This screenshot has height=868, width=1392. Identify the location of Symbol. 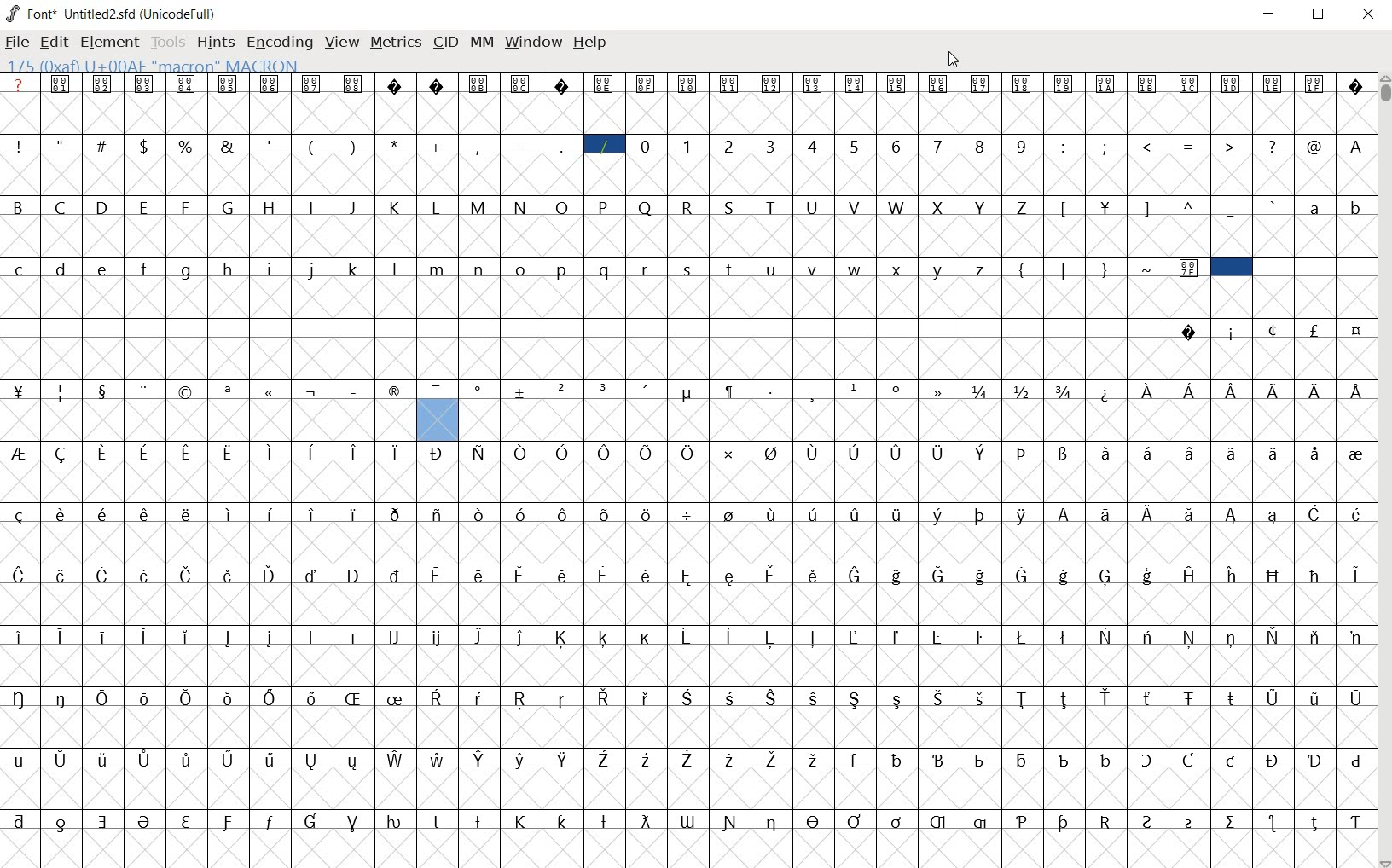
(1192, 333).